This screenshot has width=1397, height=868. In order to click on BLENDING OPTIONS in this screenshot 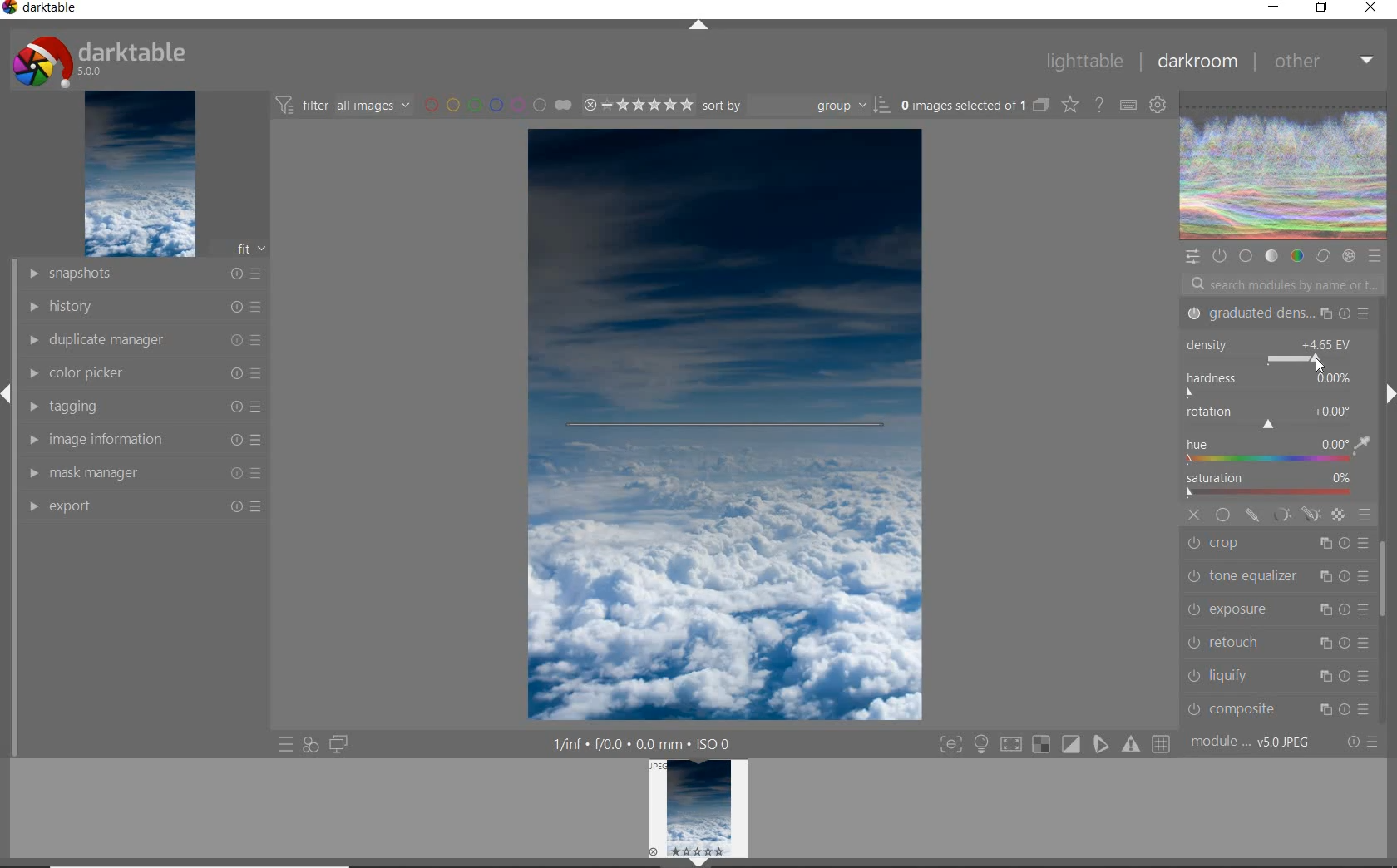, I will do `click(1365, 515)`.